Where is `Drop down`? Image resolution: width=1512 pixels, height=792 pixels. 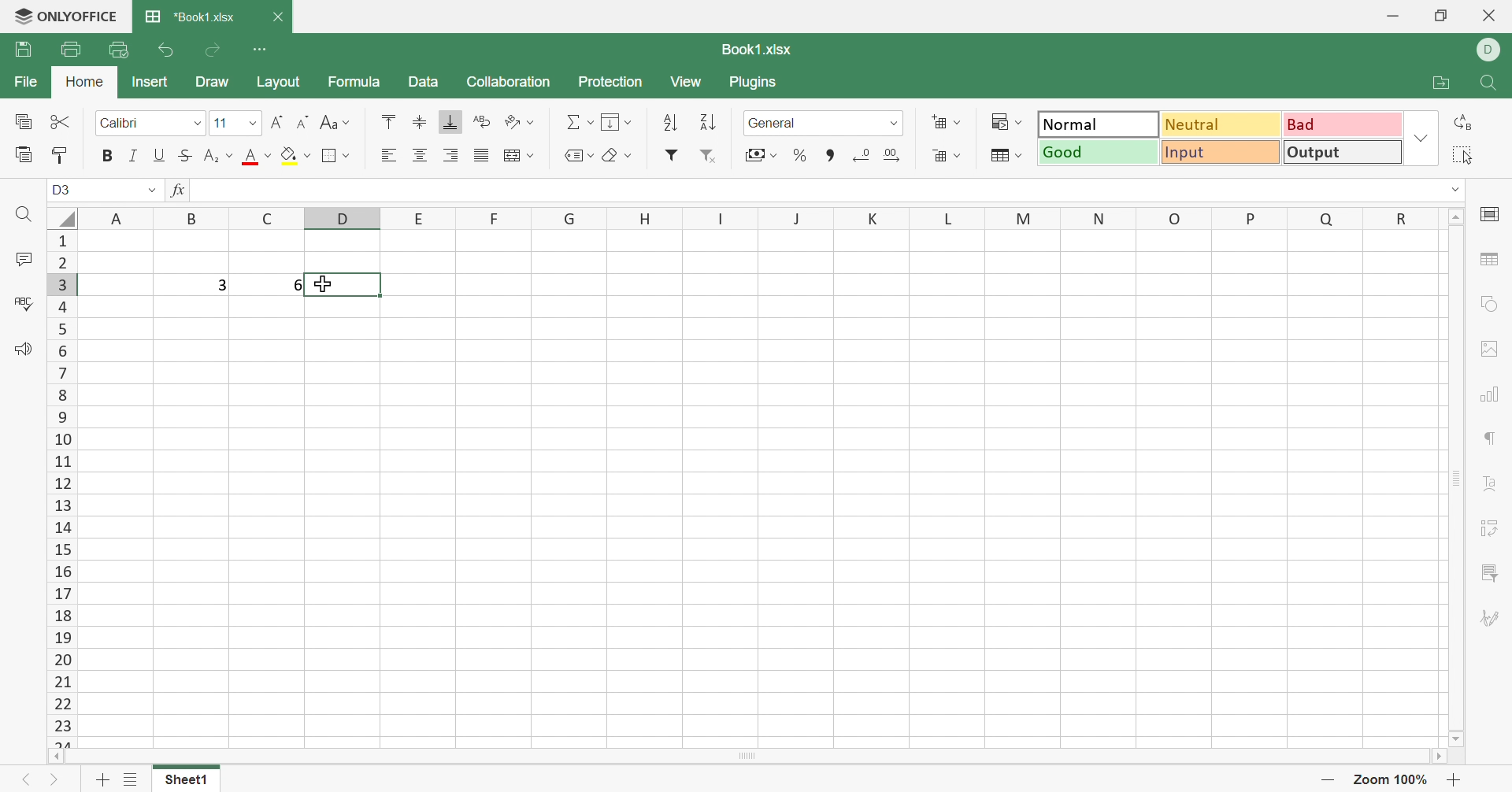 Drop down is located at coordinates (1422, 139).